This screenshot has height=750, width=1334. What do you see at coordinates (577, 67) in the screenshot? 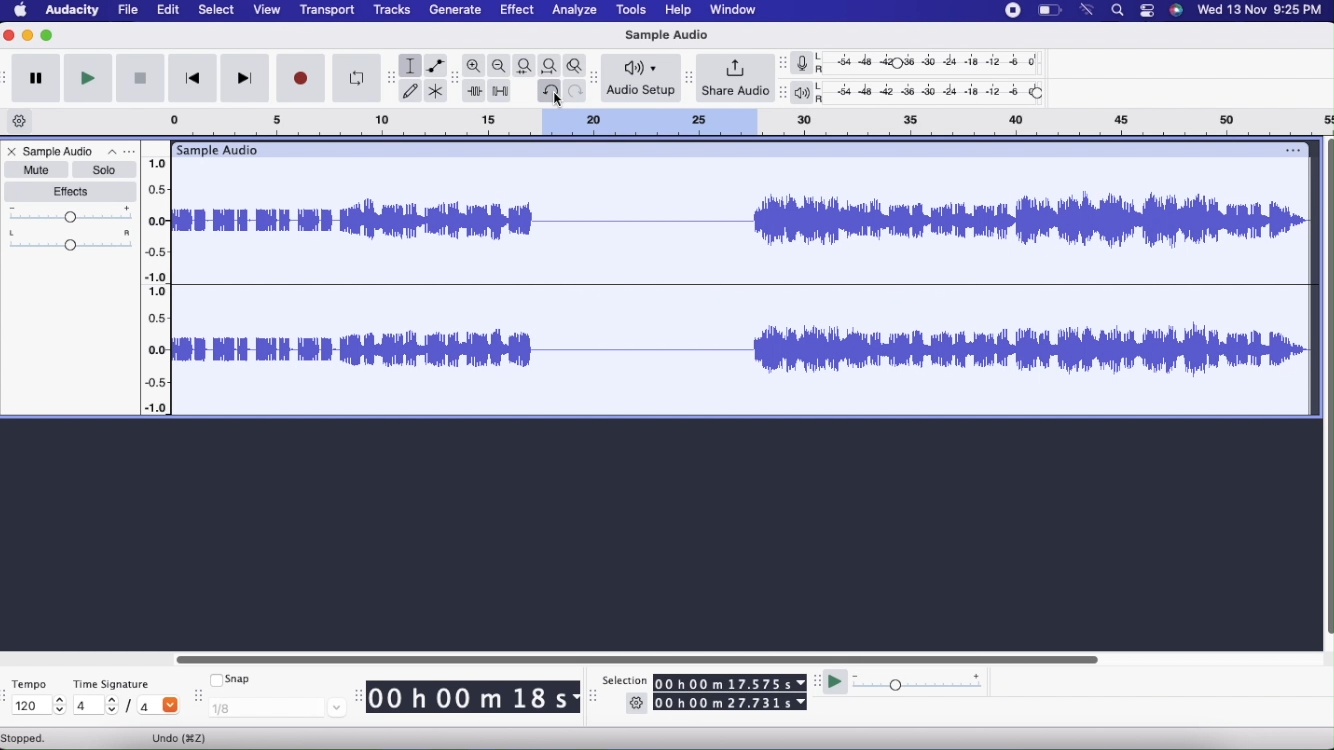
I see `Zoom toggle` at bounding box center [577, 67].